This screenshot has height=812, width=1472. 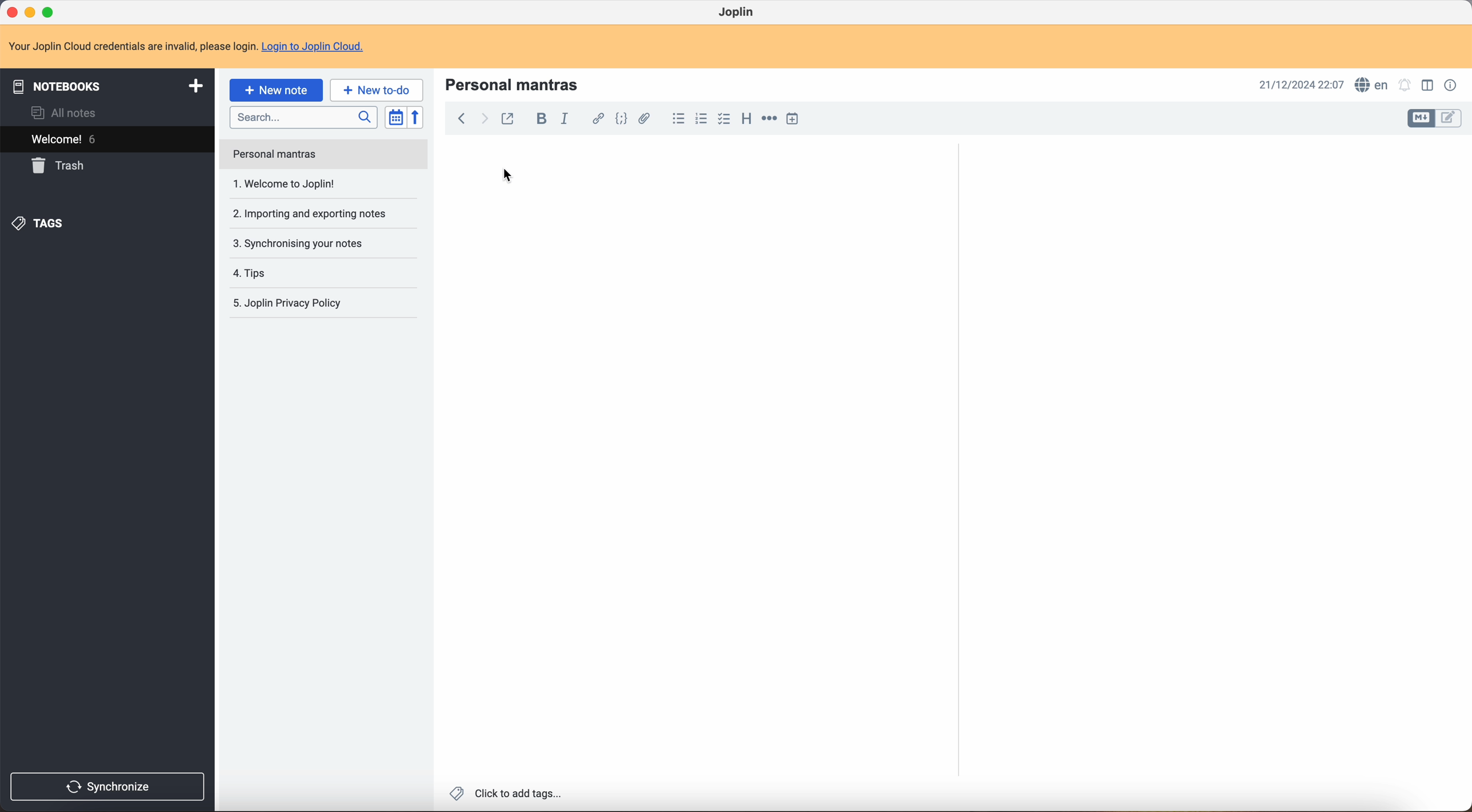 I want to click on bold, so click(x=543, y=118).